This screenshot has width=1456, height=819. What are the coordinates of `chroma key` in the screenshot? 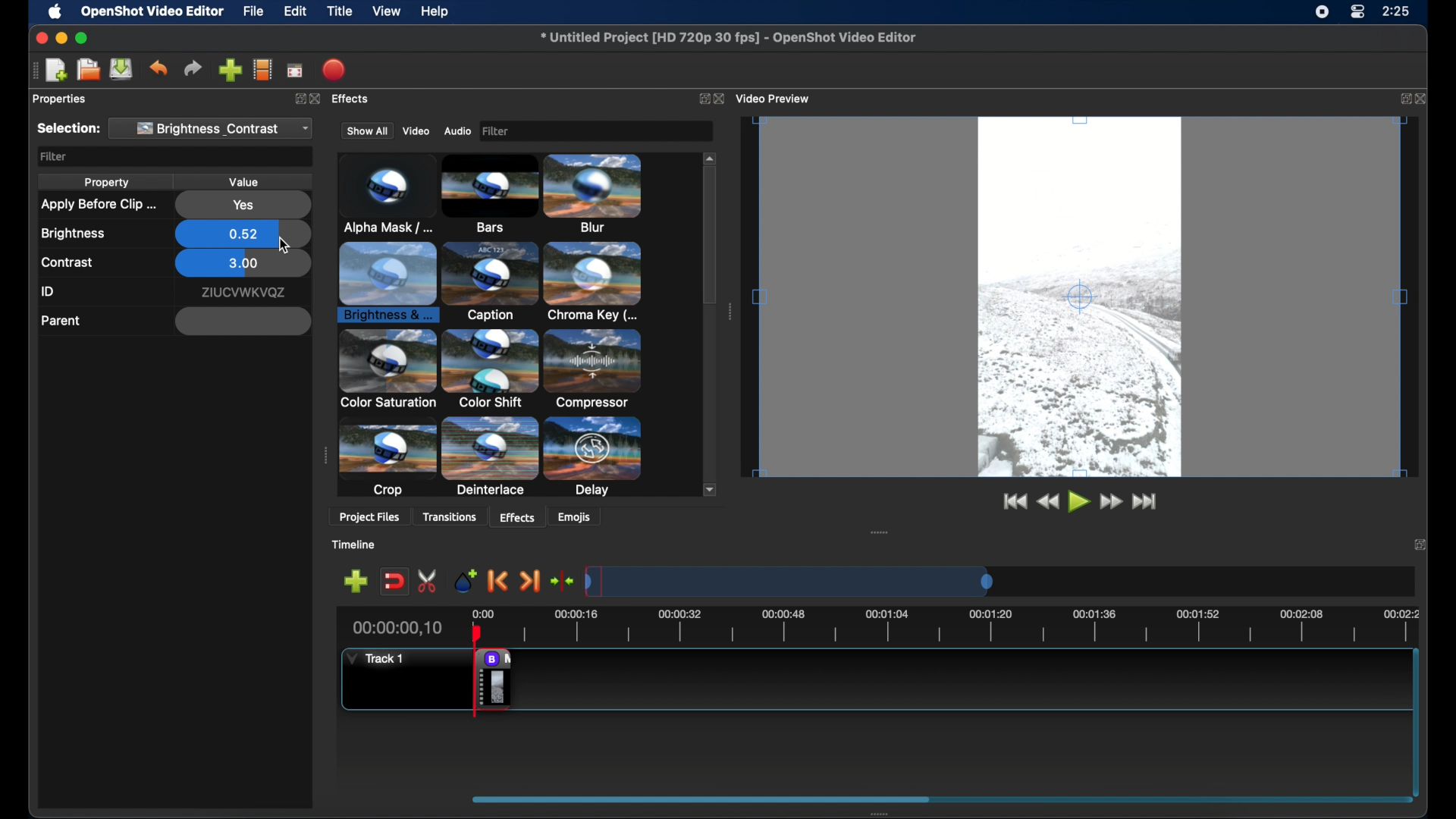 It's located at (388, 282).